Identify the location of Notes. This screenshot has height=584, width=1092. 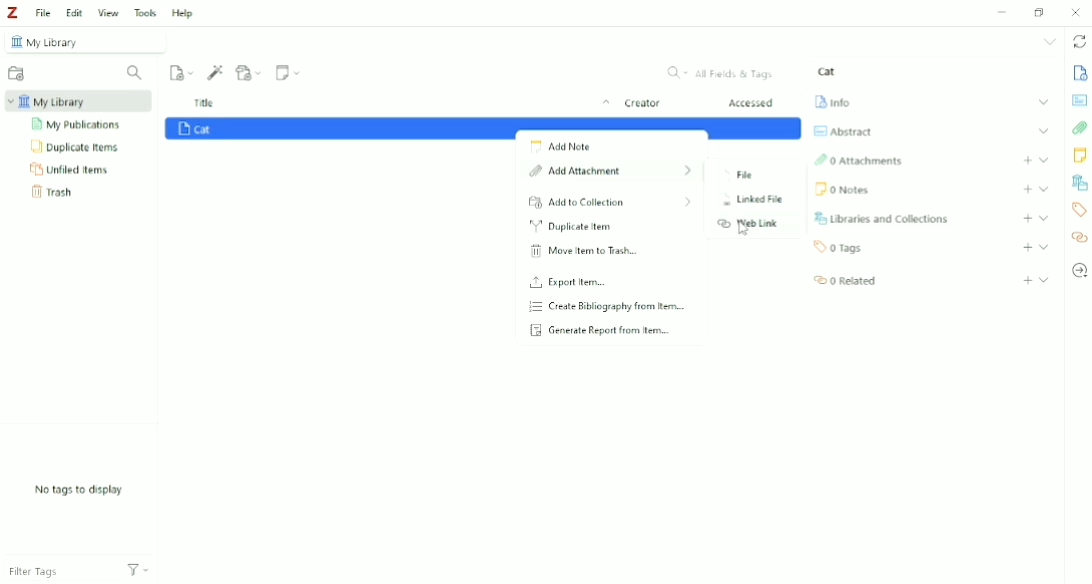
(841, 189).